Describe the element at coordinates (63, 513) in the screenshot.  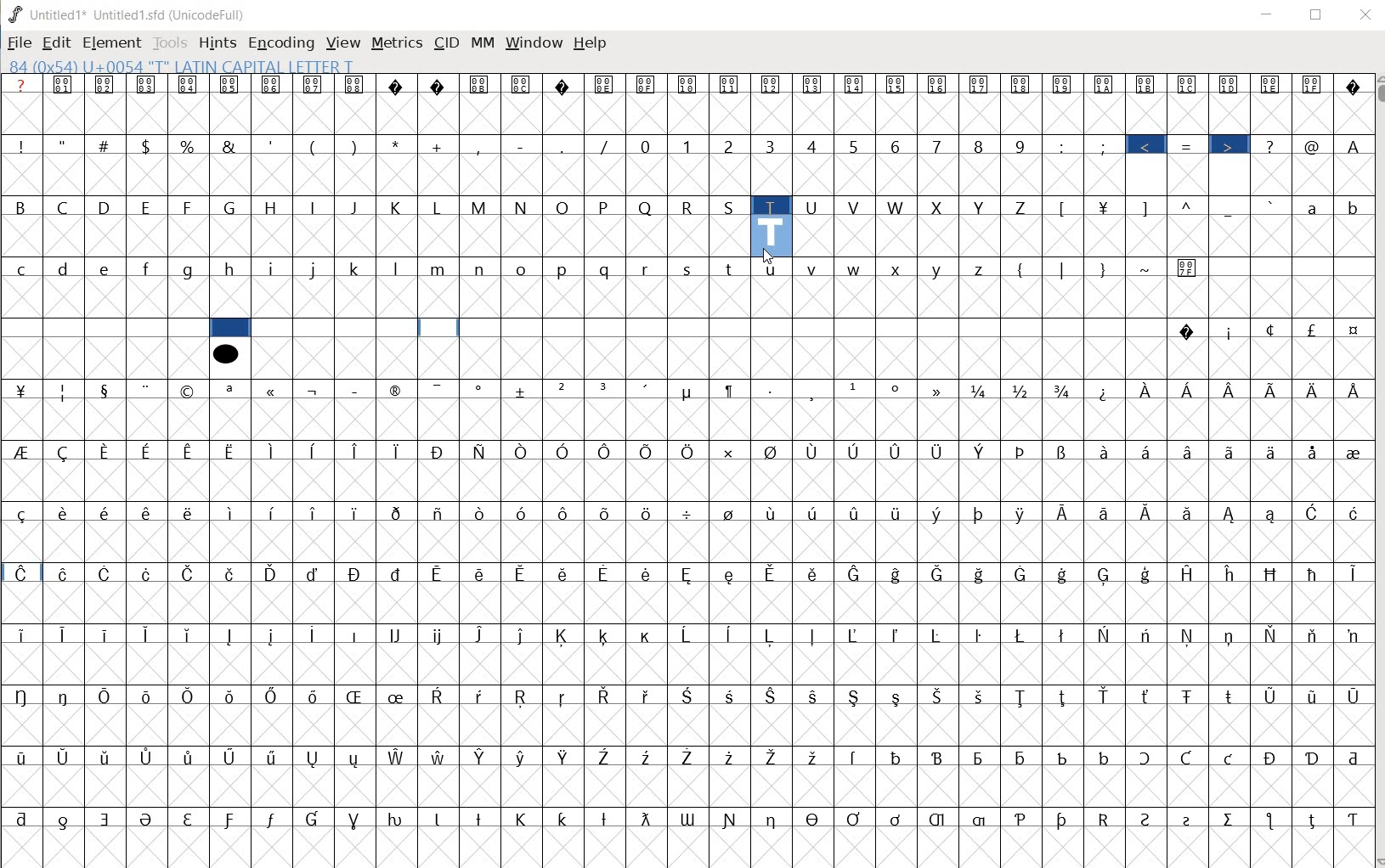
I see `Symbol` at that location.